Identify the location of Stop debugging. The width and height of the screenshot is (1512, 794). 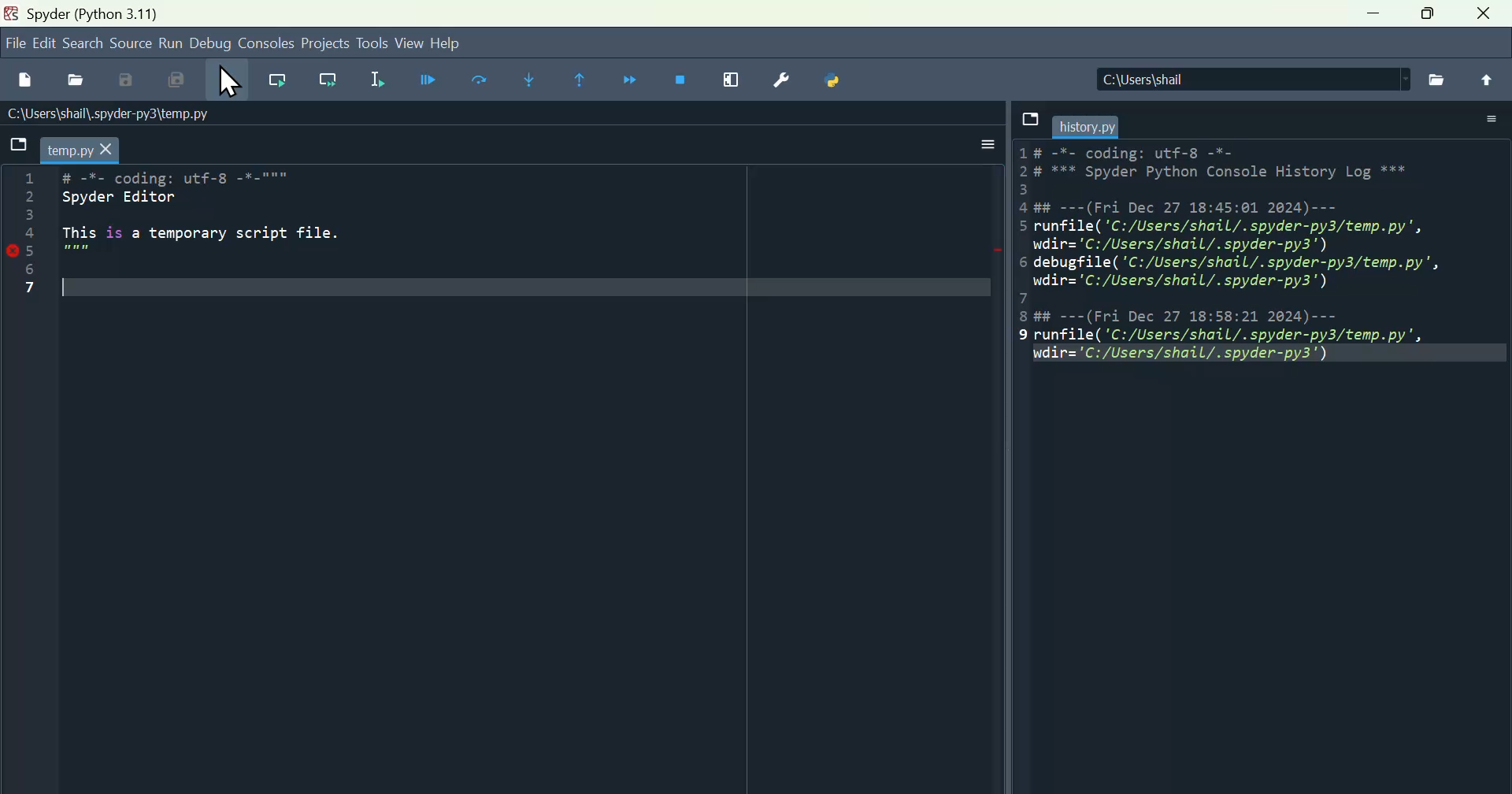
(689, 80).